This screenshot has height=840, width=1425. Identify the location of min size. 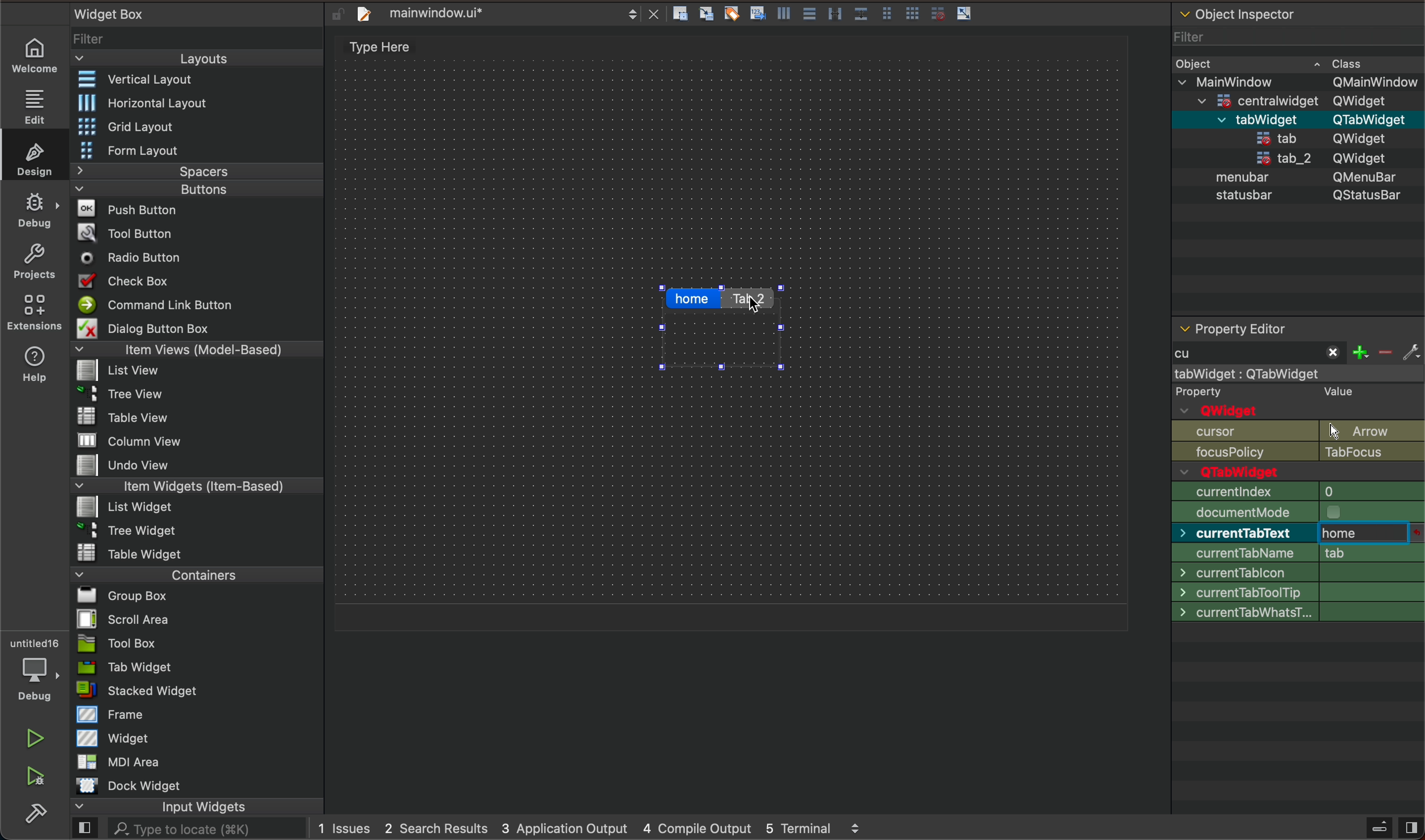
(1299, 532).